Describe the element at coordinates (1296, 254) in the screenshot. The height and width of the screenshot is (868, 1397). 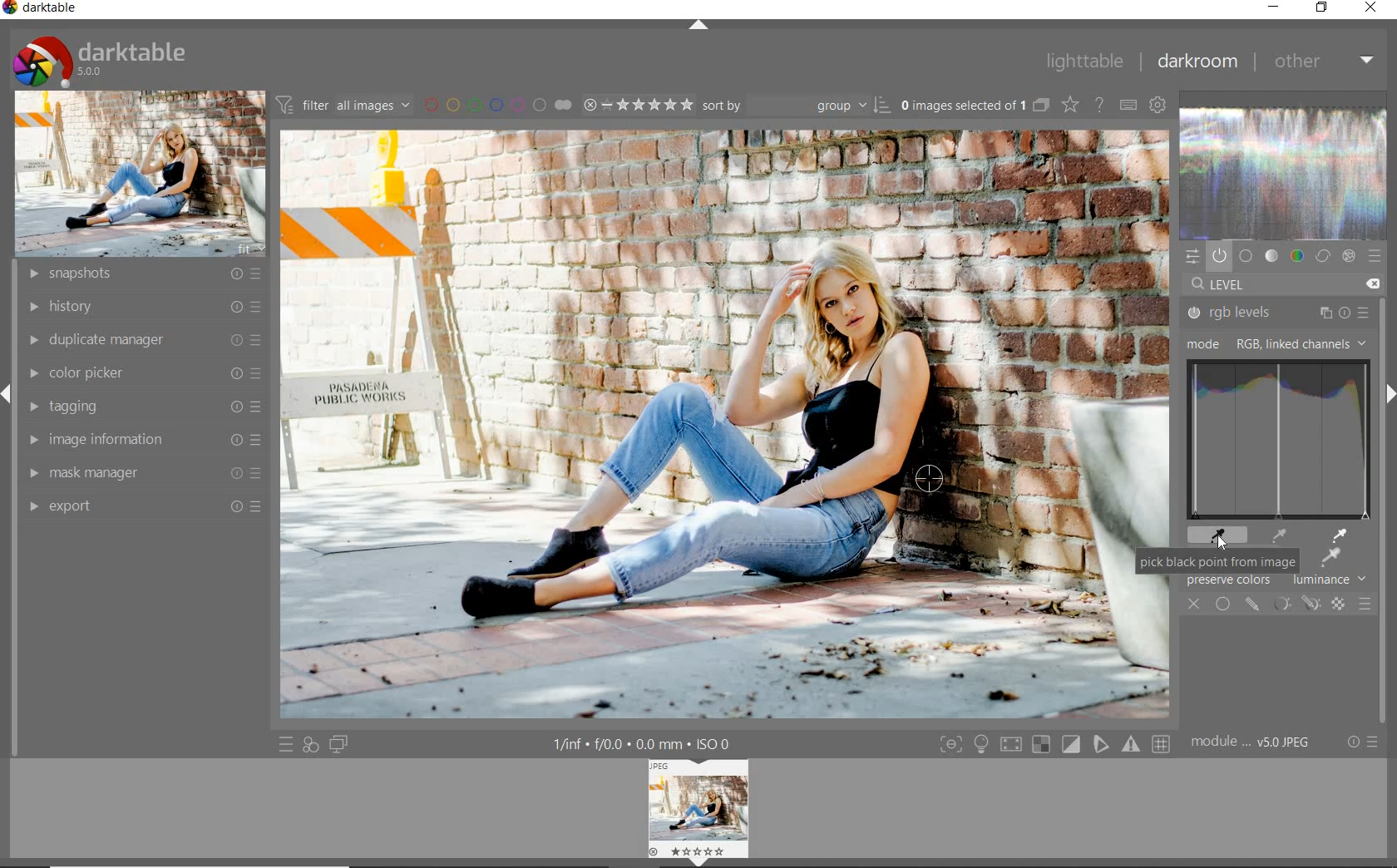
I see `color` at that location.